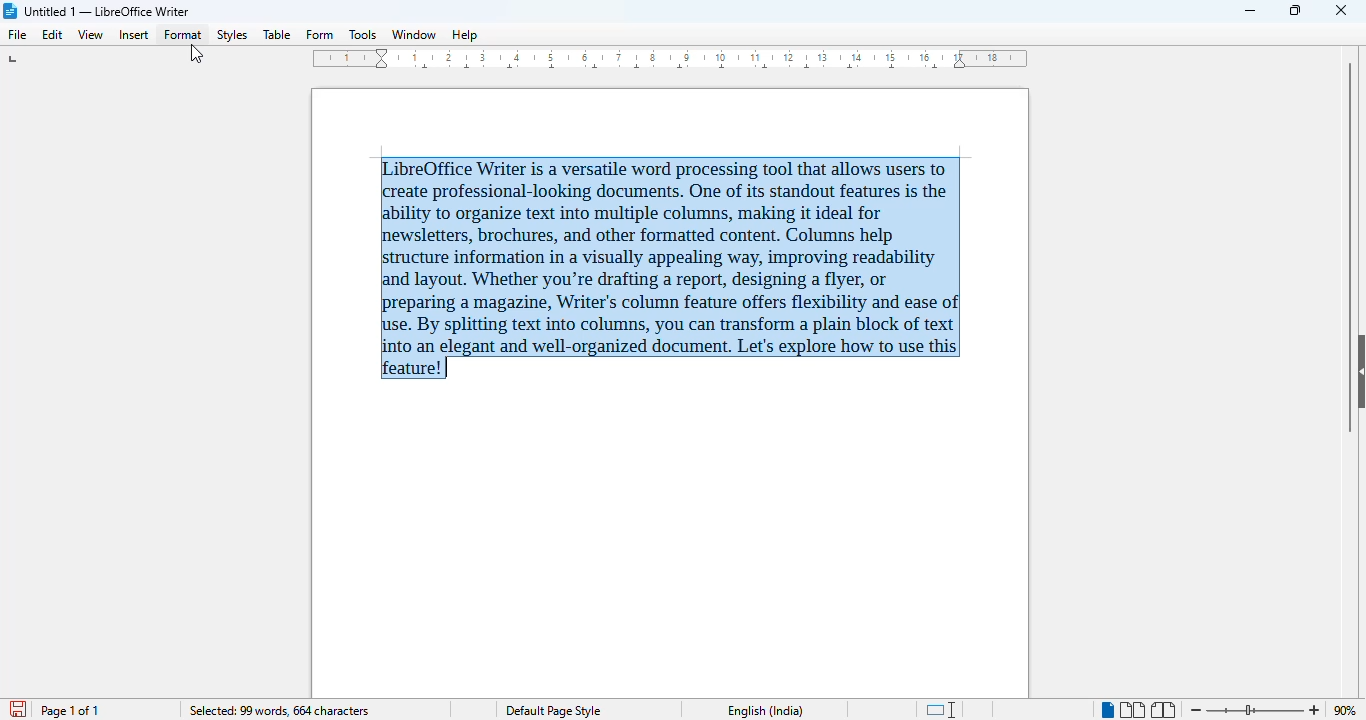 The image size is (1366, 720). Describe the element at coordinates (1197, 709) in the screenshot. I see `zoom out` at that location.